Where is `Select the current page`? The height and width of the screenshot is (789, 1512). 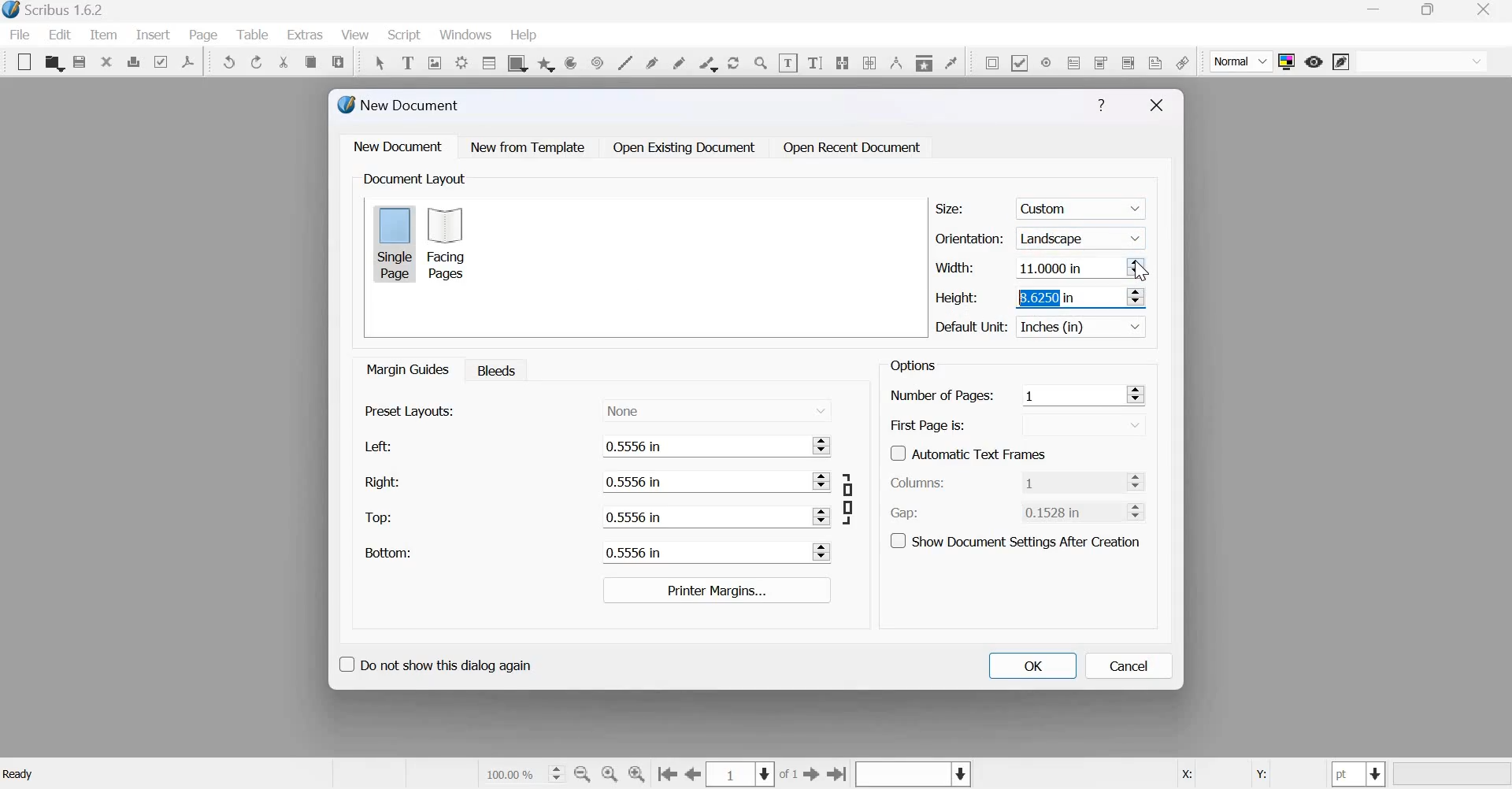
Select the current page is located at coordinates (742, 774).